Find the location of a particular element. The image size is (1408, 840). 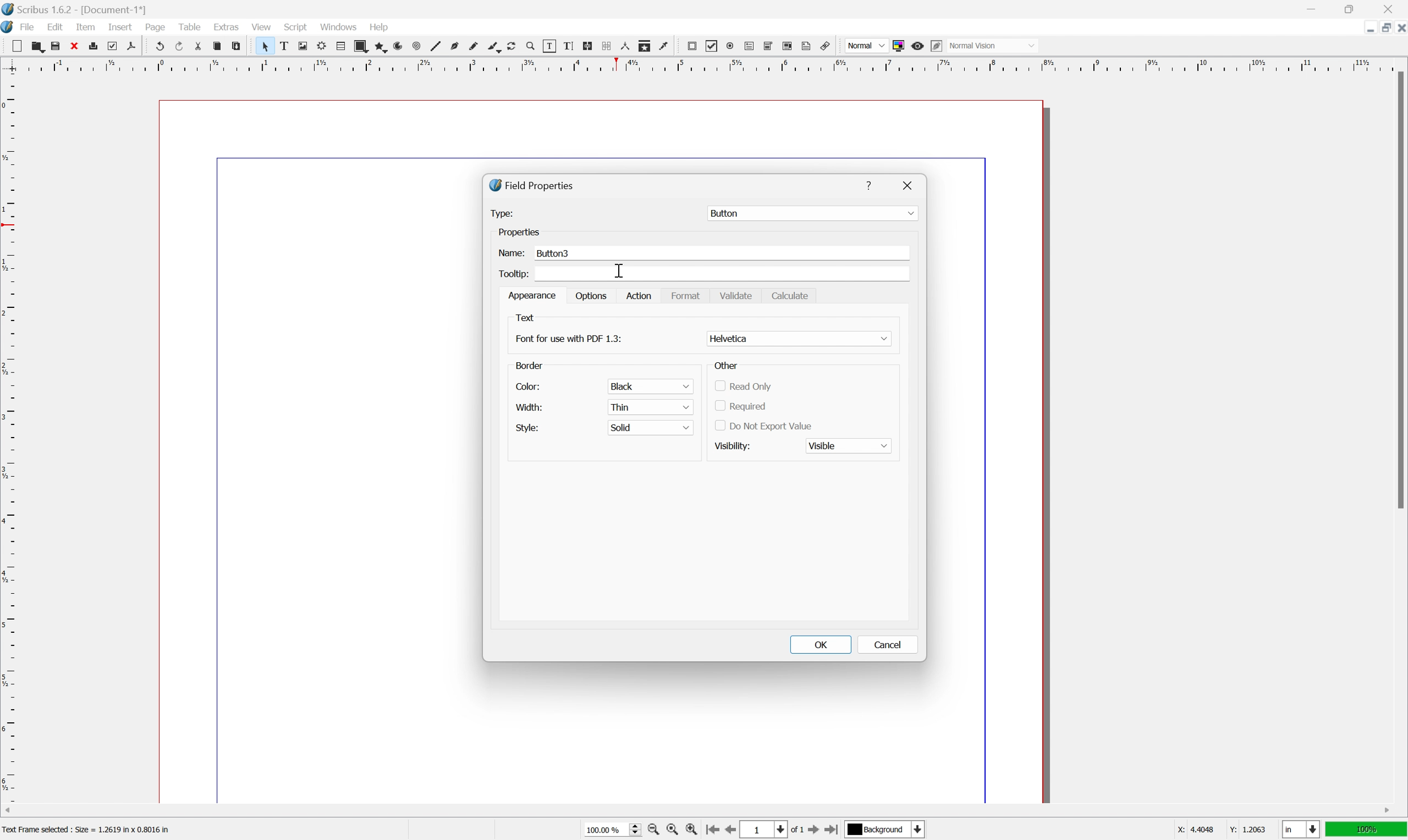

measurements is located at coordinates (625, 47).